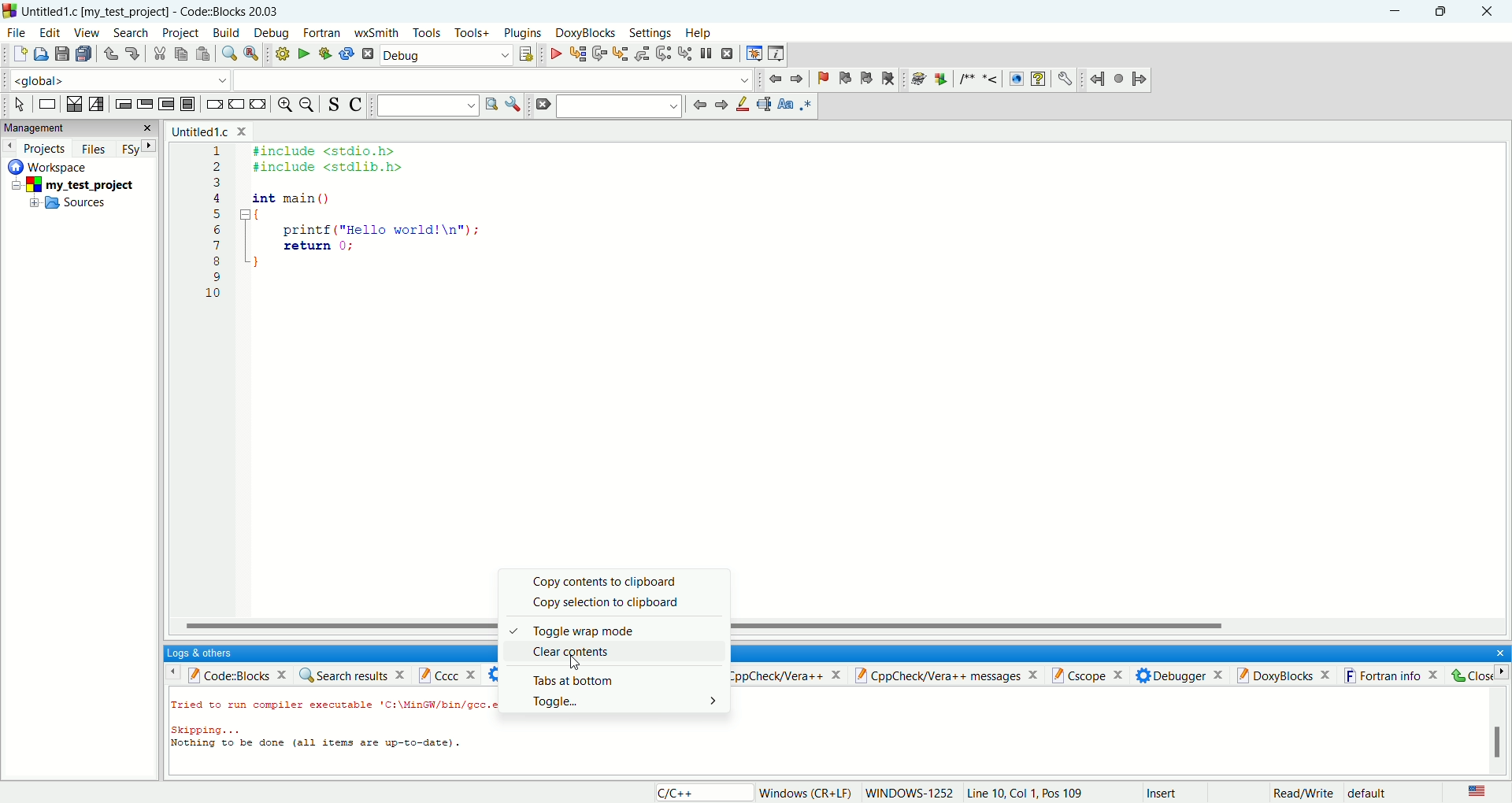 This screenshot has height=803, width=1512. Describe the element at coordinates (1161, 791) in the screenshot. I see `insert` at that location.